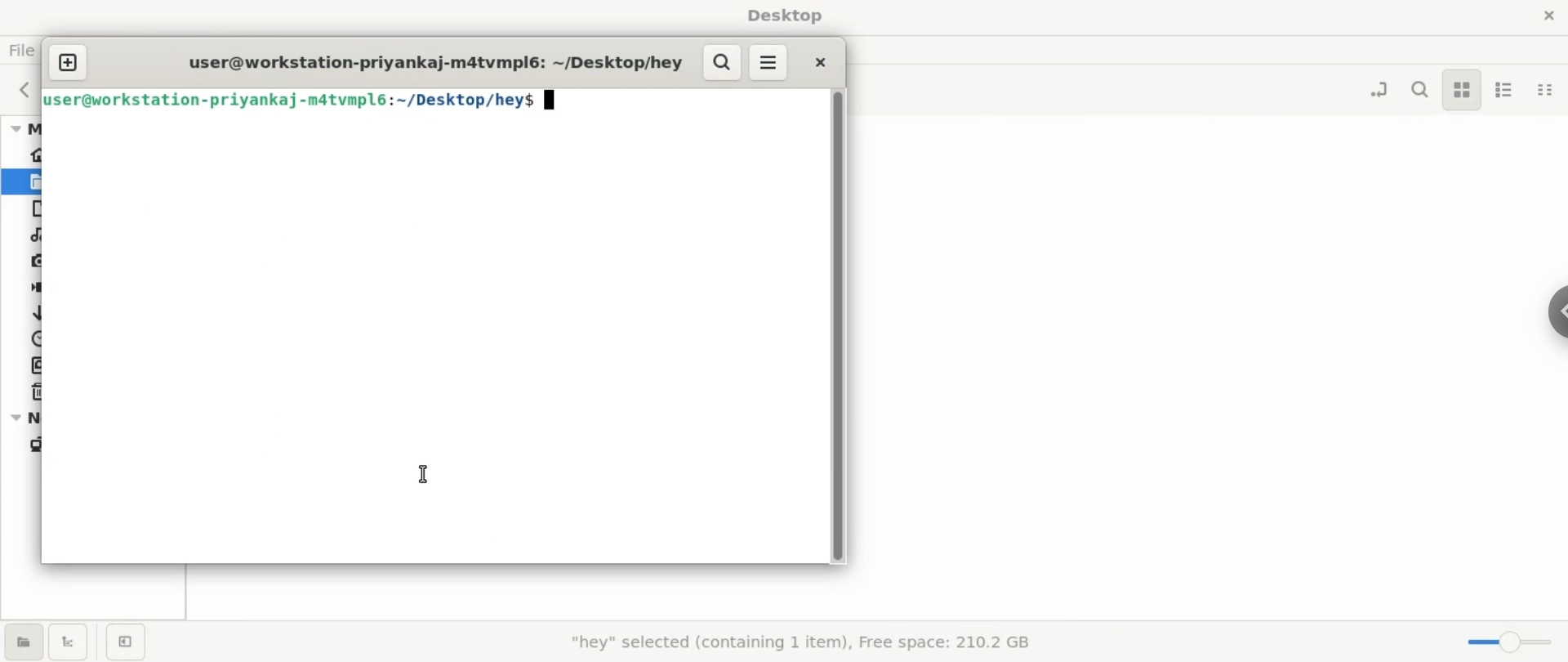 This screenshot has width=1568, height=662. I want to click on close, so click(1544, 13).